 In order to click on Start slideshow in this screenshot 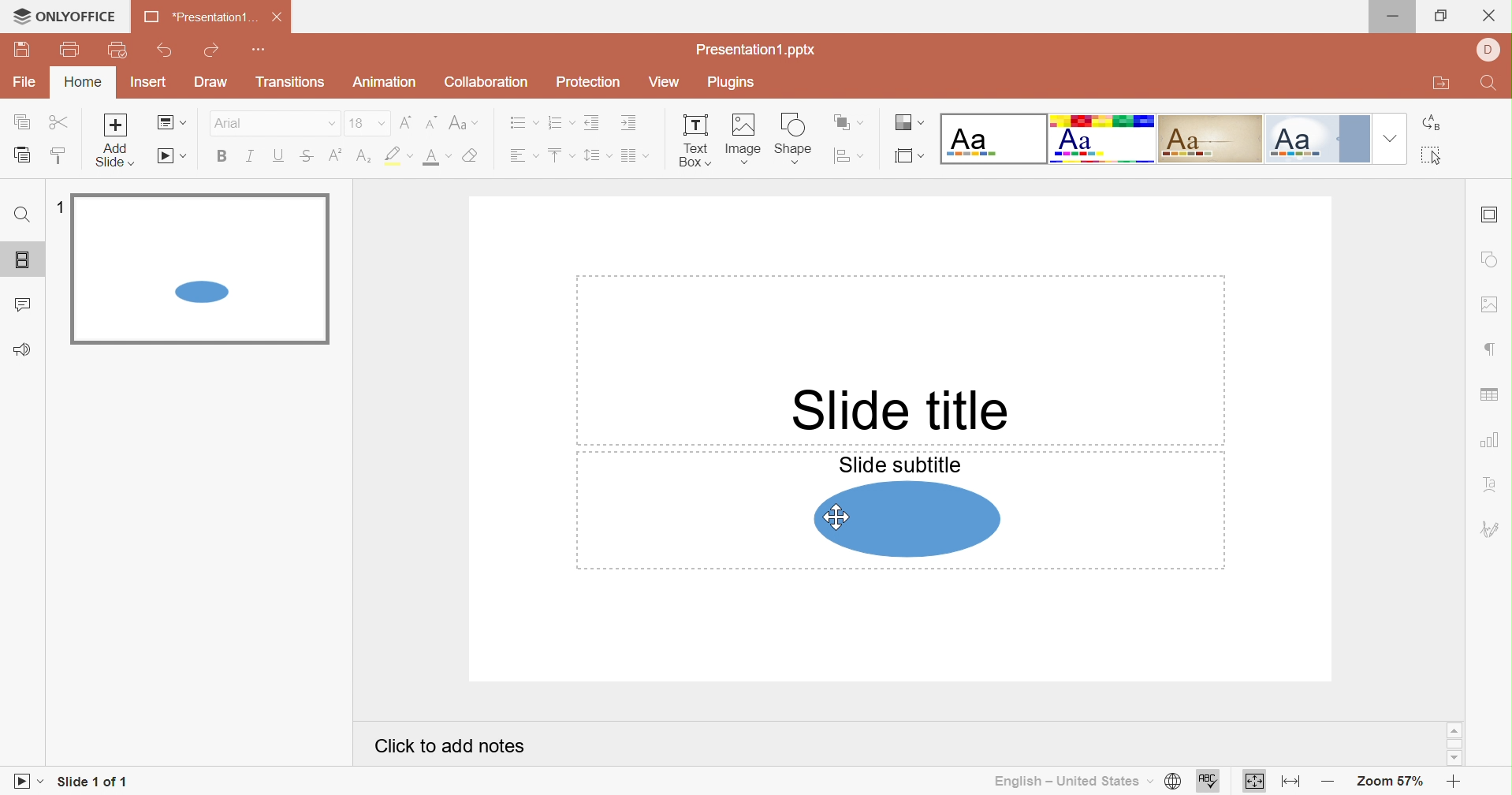, I will do `click(174, 157)`.